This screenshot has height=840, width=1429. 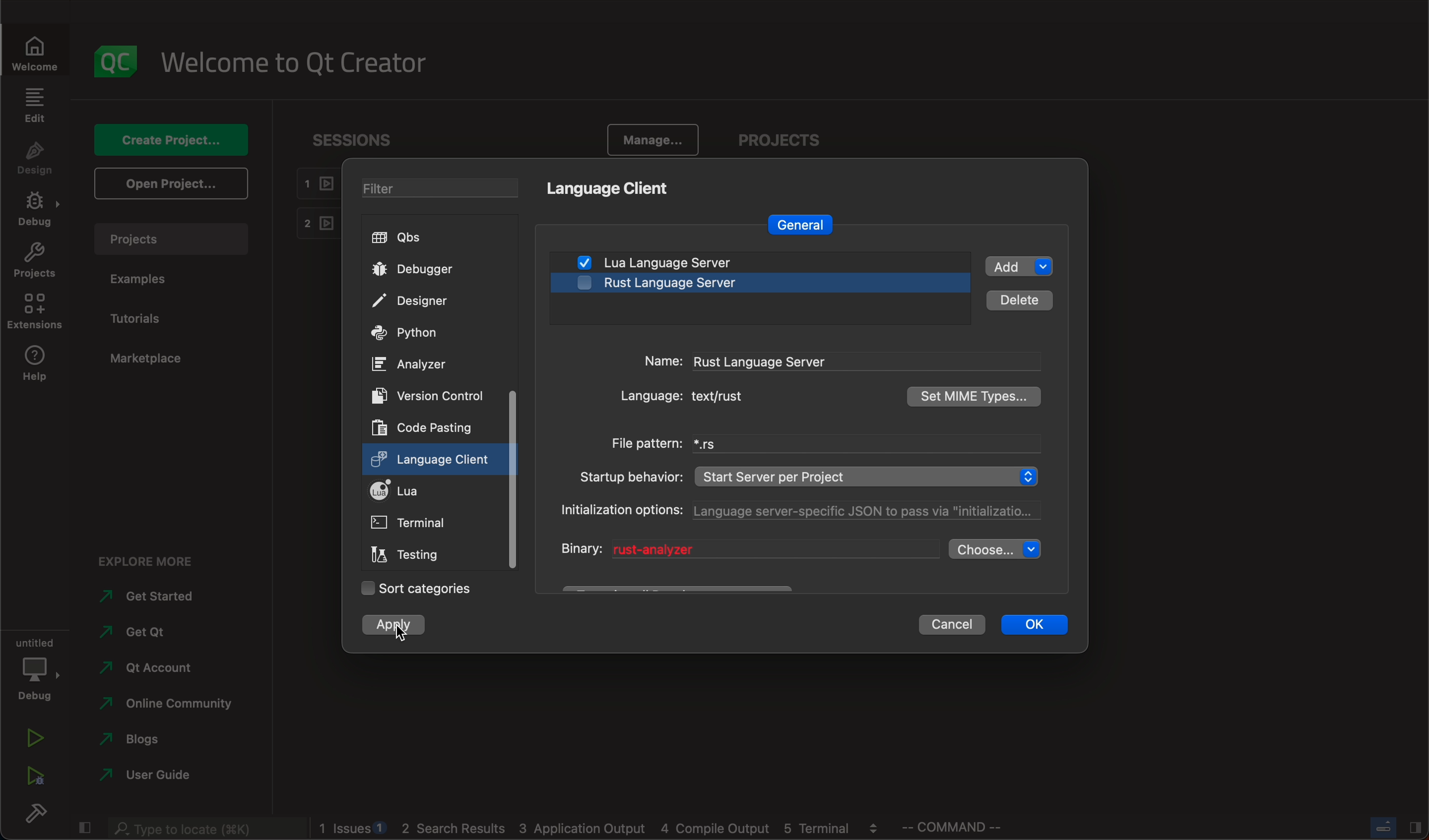 What do you see at coordinates (412, 333) in the screenshot?
I see `python` at bounding box center [412, 333].